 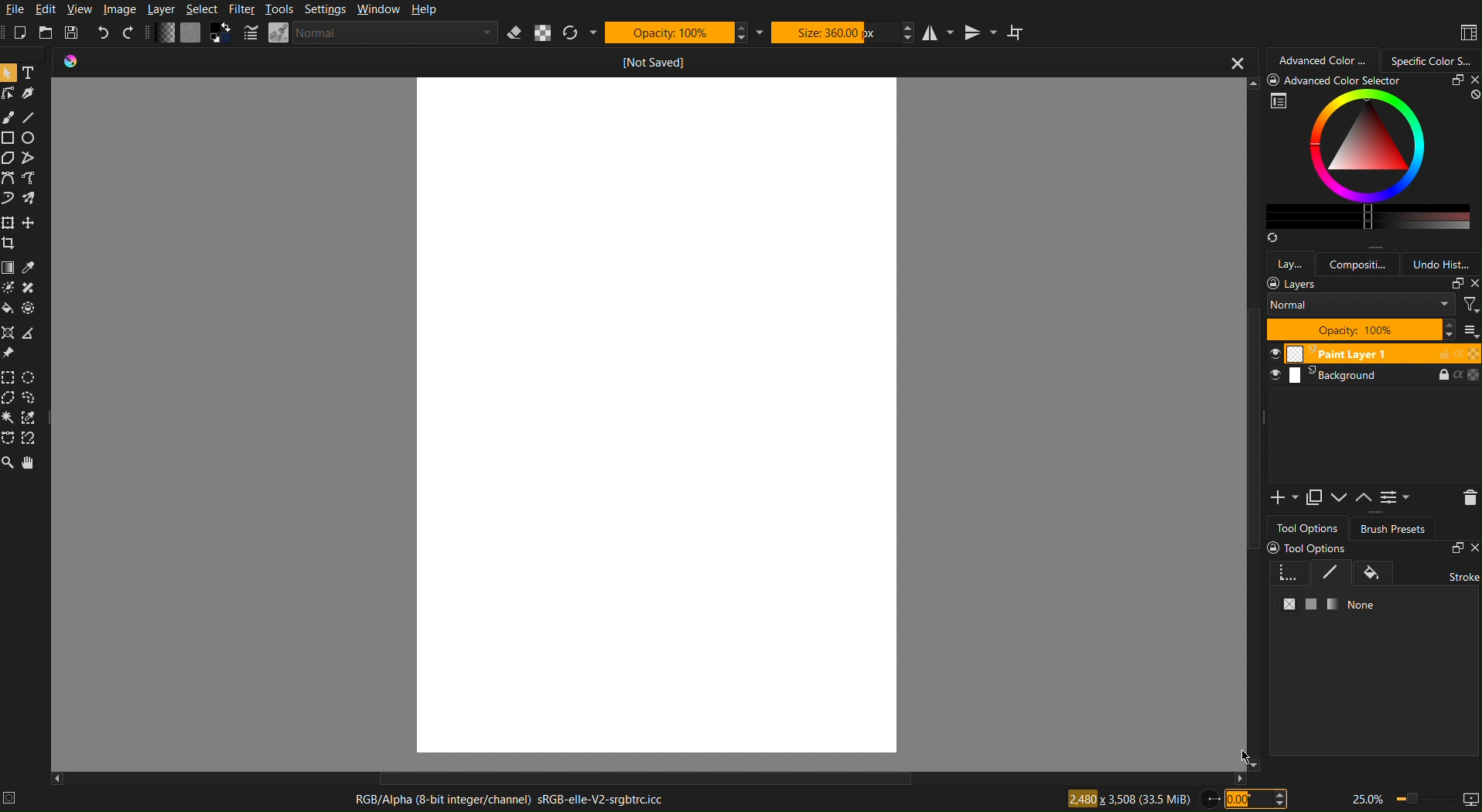 What do you see at coordinates (1471, 285) in the screenshot?
I see `close` at bounding box center [1471, 285].